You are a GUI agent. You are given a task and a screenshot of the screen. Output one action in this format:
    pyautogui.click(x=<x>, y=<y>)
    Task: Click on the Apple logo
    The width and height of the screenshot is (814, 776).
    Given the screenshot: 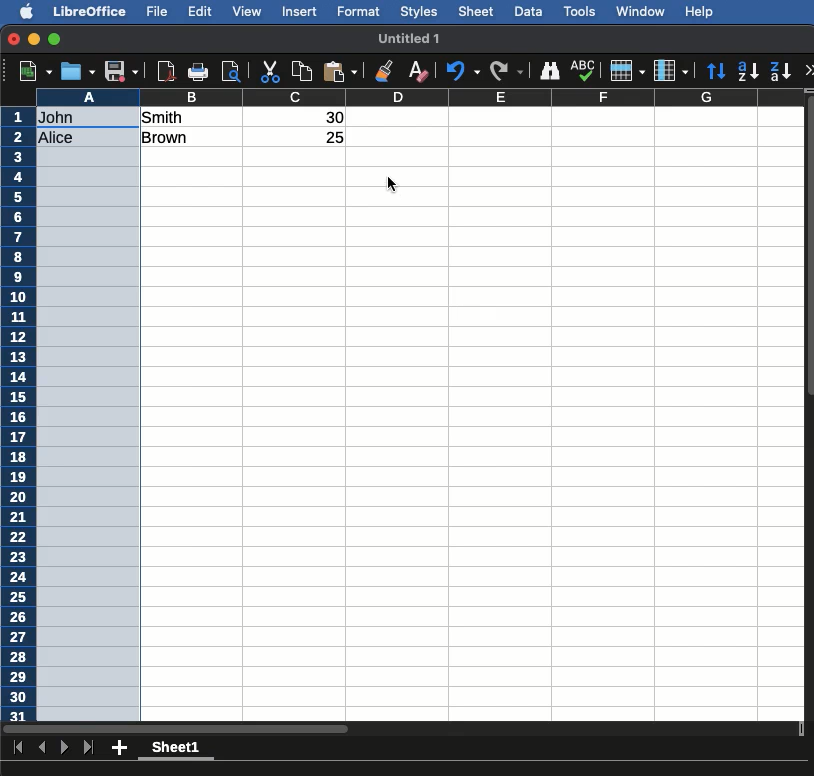 What is the action you would take?
    pyautogui.click(x=29, y=11)
    